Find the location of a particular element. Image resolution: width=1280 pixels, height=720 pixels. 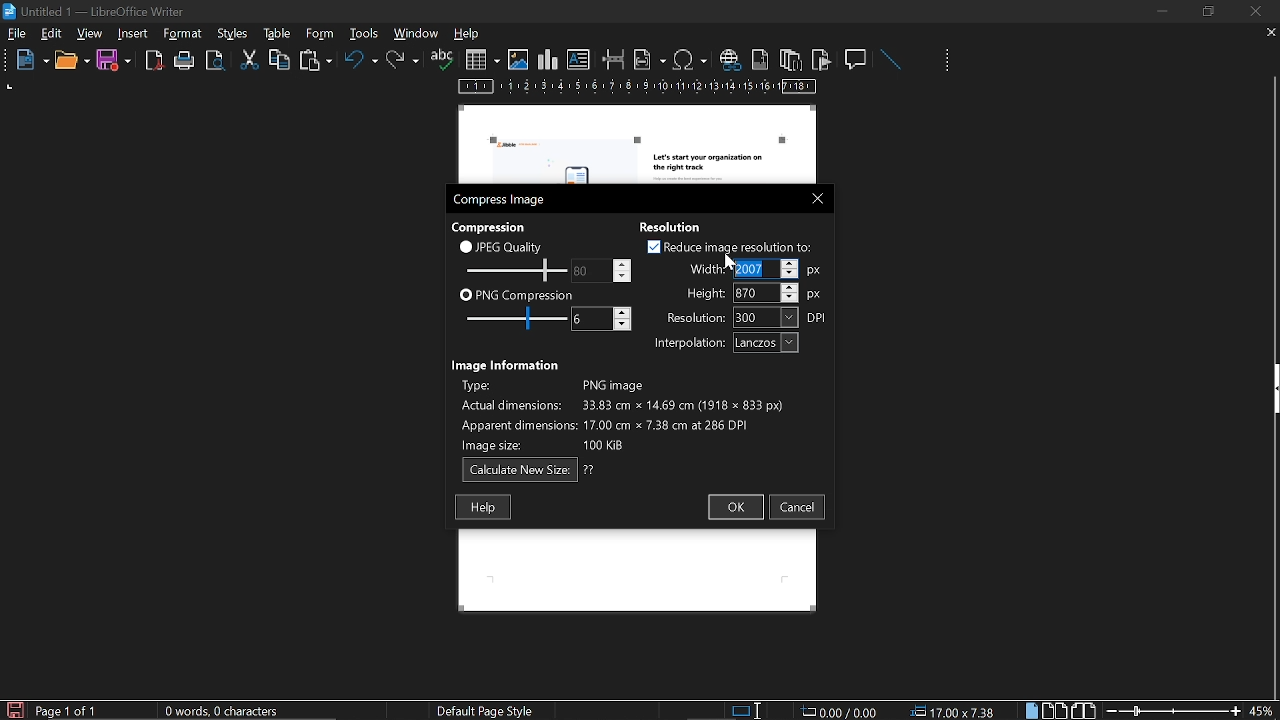

edit is located at coordinates (52, 35).